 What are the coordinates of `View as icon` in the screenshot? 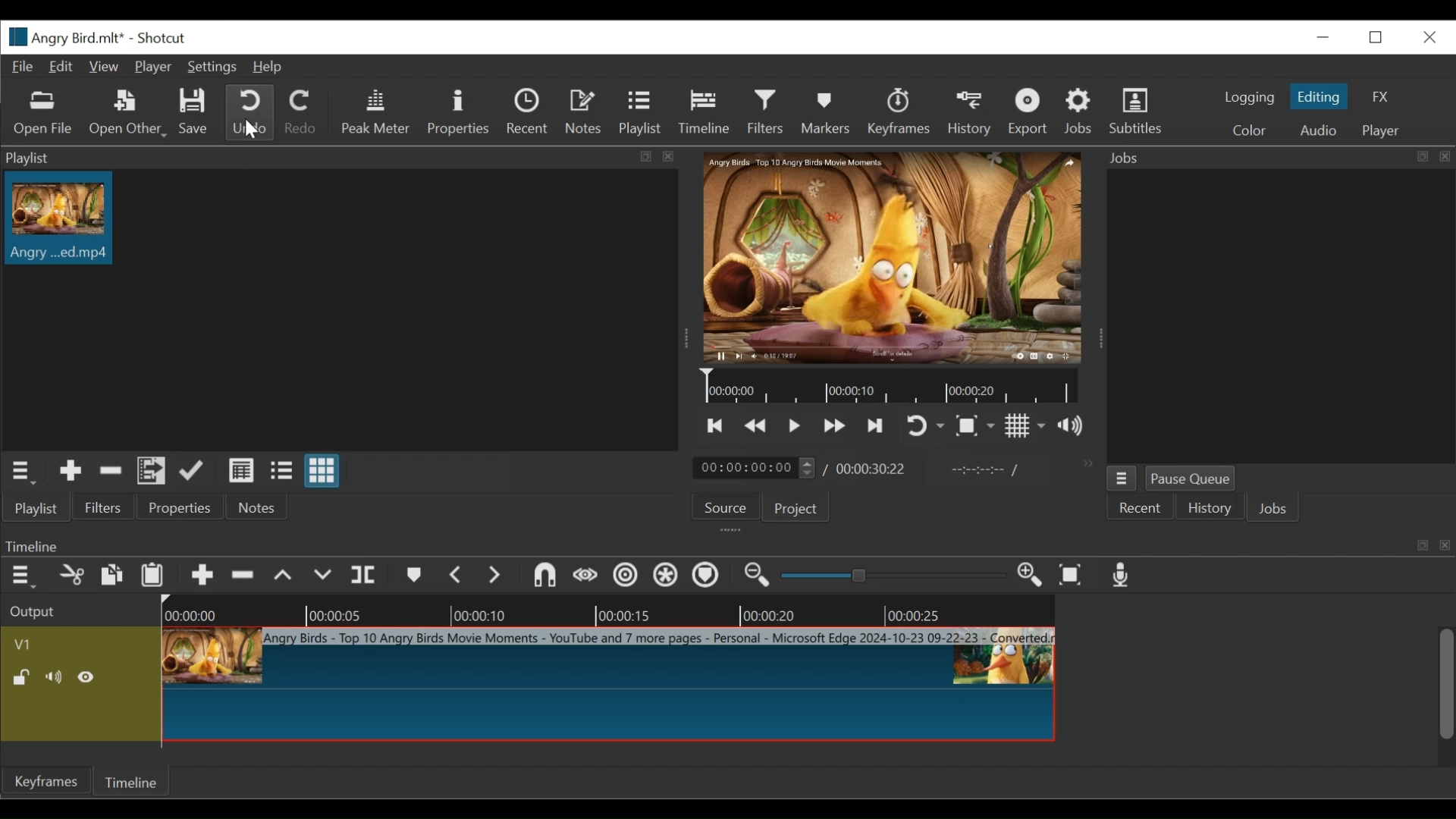 It's located at (324, 470).